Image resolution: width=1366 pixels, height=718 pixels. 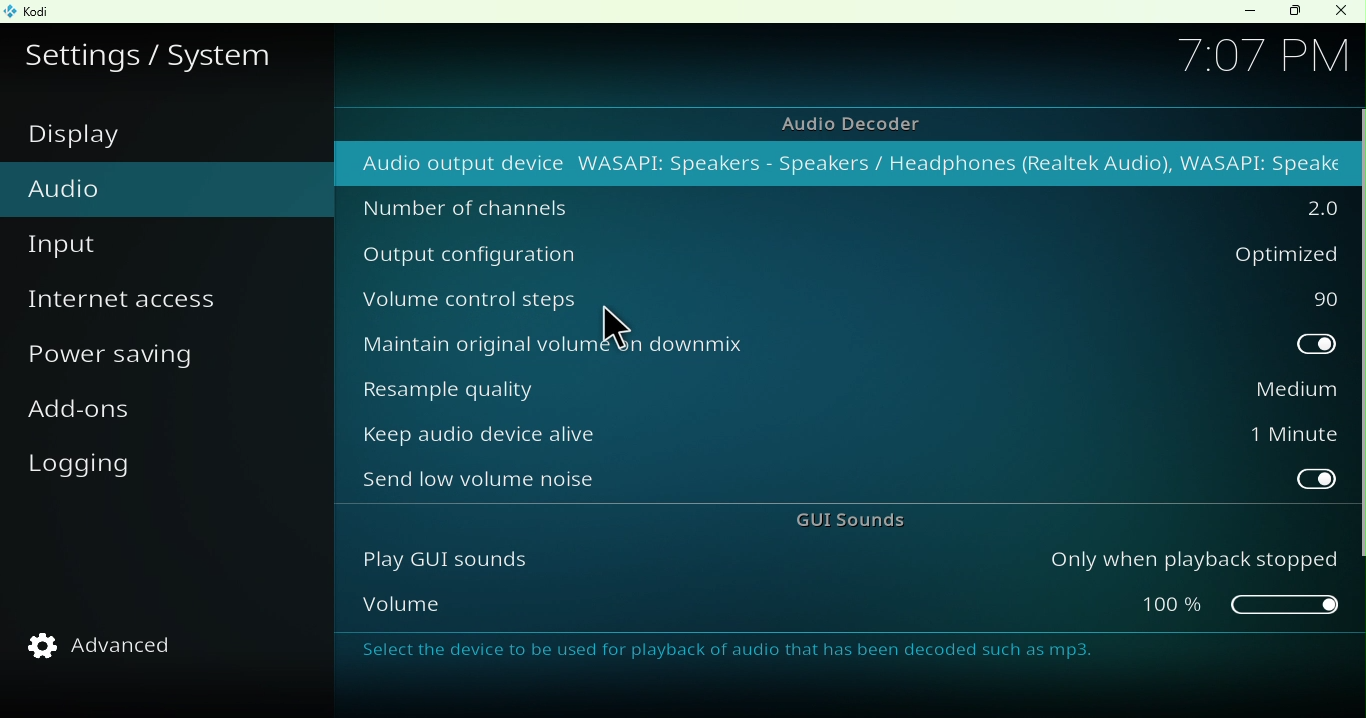 I want to click on audio output device, so click(x=1215, y=157).